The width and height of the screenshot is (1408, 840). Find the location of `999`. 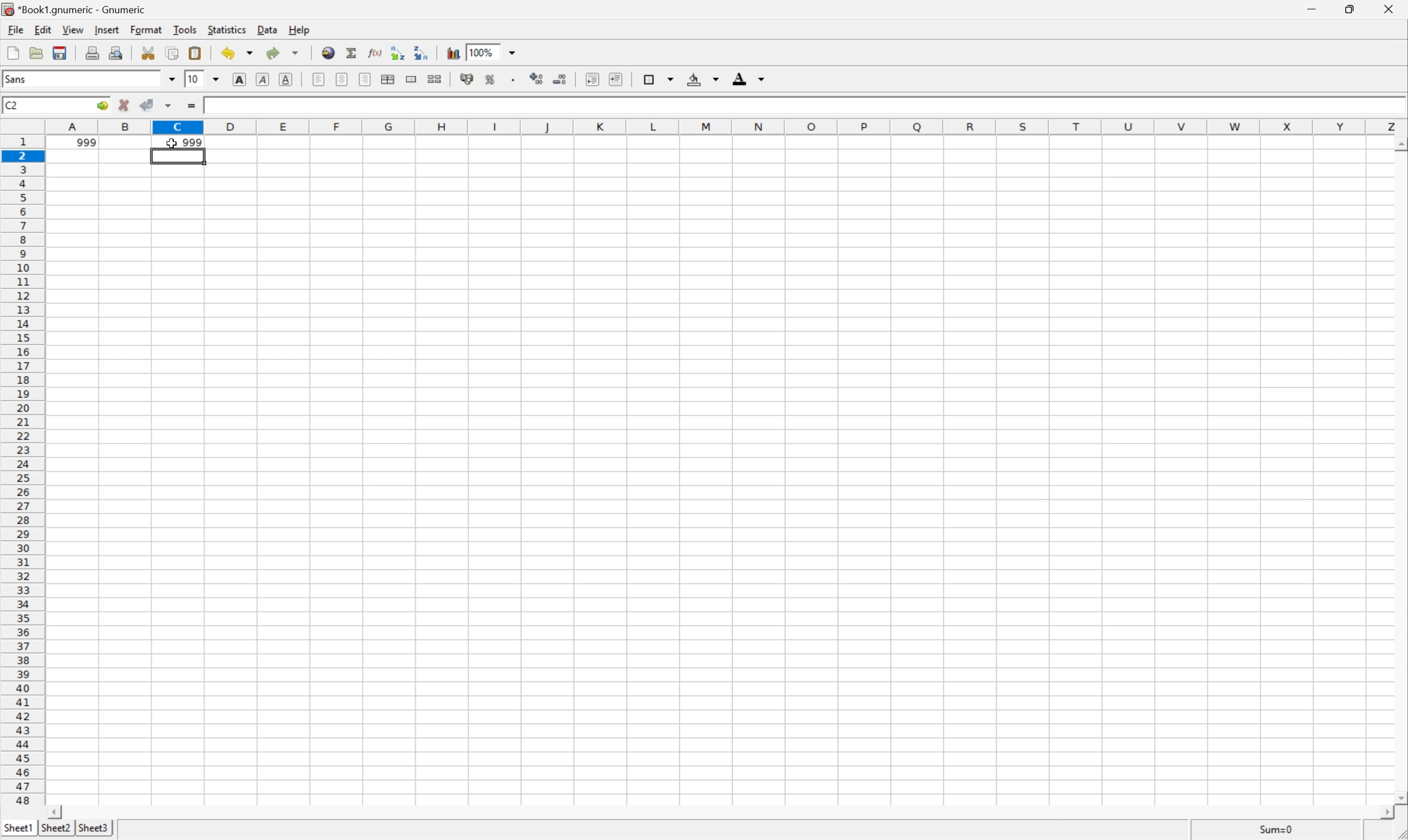

999 is located at coordinates (192, 143).